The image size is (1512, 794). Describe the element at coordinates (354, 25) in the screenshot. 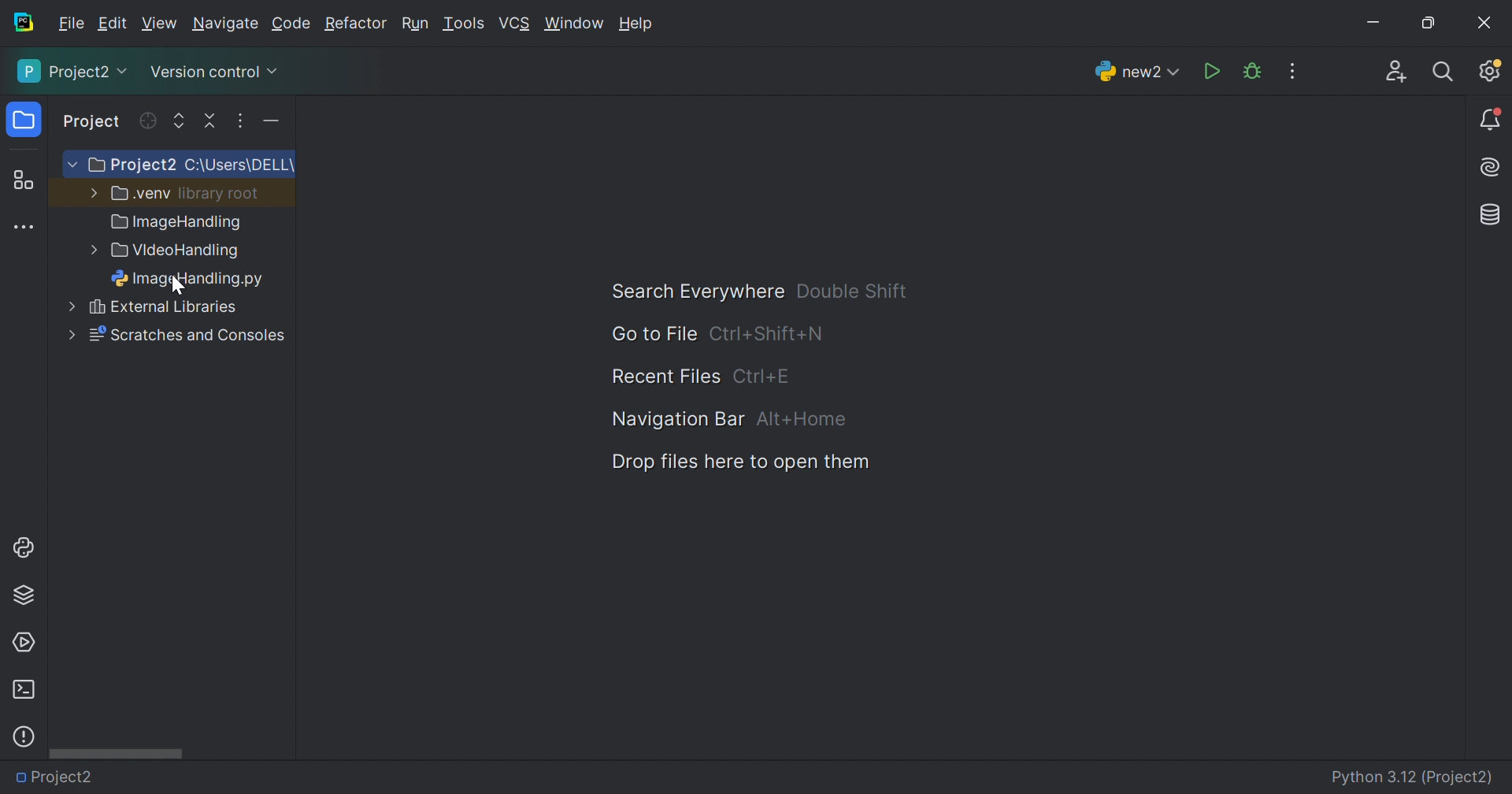

I see `Refactor` at that location.